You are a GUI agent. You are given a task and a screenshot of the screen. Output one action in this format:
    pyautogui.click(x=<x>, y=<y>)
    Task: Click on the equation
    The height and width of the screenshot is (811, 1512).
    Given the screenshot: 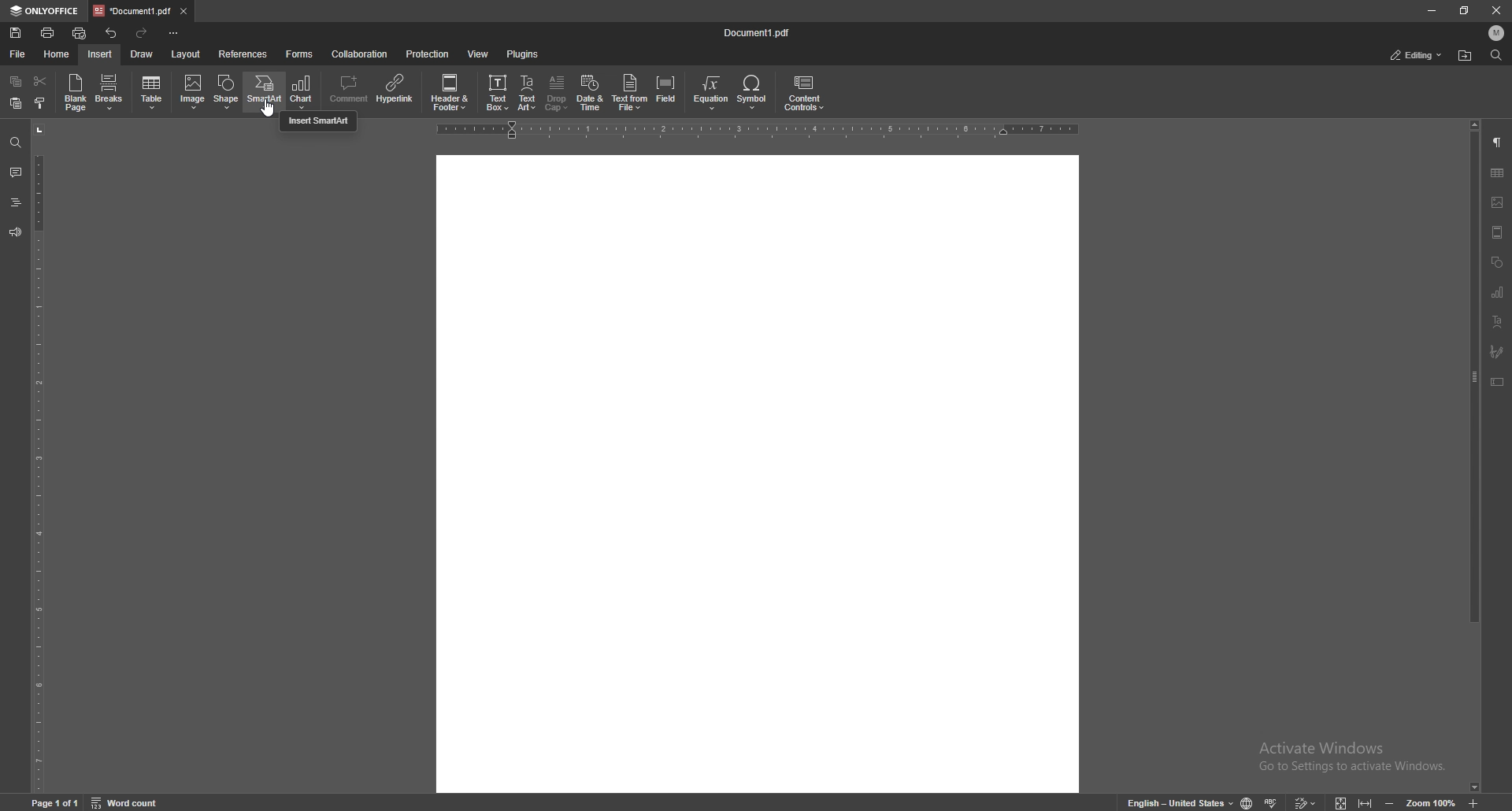 What is the action you would take?
    pyautogui.click(x=713, y=92)
    